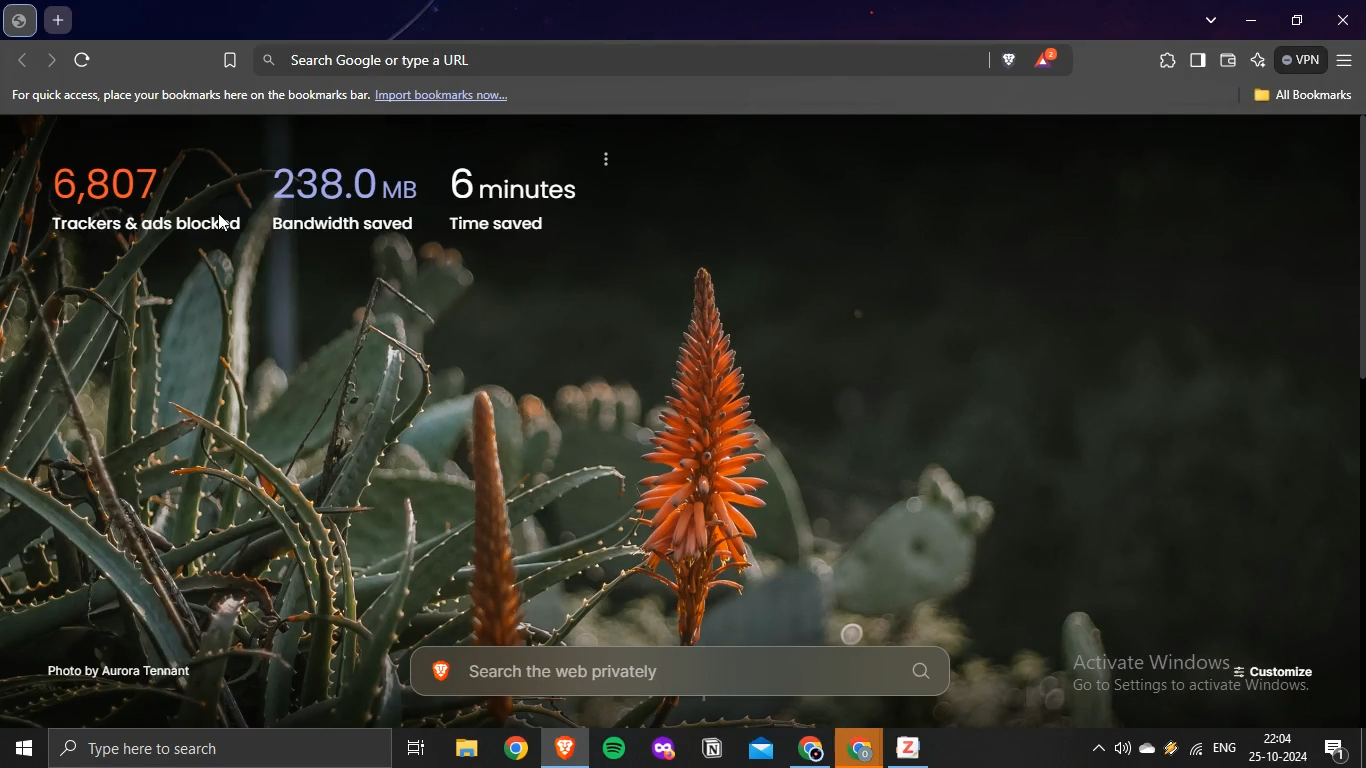 The width and height of the screenshot is (1366, 768). What do you see at coordinates (24, 749) in the screenshot?
I see `start` at bounding box center [24, 749].